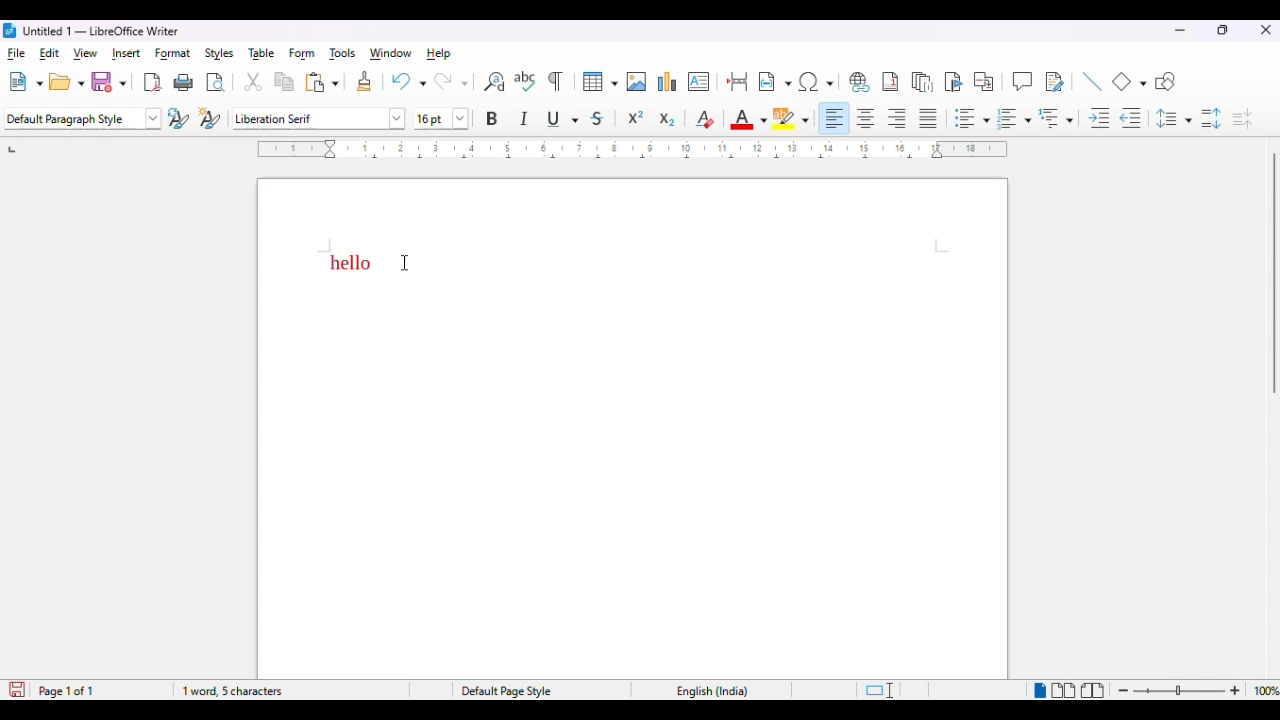  Describe the element at coordinates (495, 82) in the screenshot. I see `find and replace` at that location.